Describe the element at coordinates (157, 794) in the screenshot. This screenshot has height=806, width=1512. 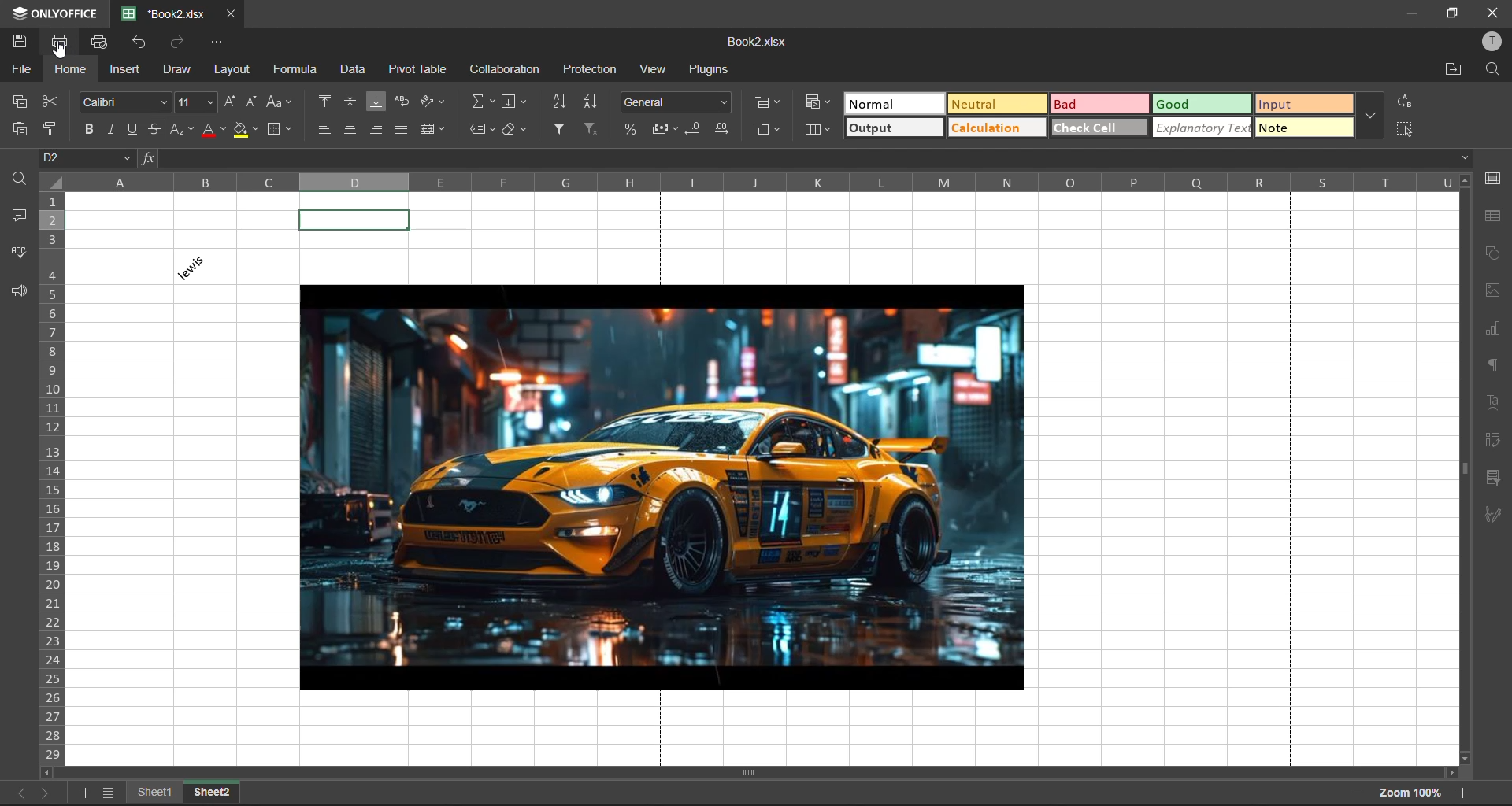
I see `sheet1` at that location.